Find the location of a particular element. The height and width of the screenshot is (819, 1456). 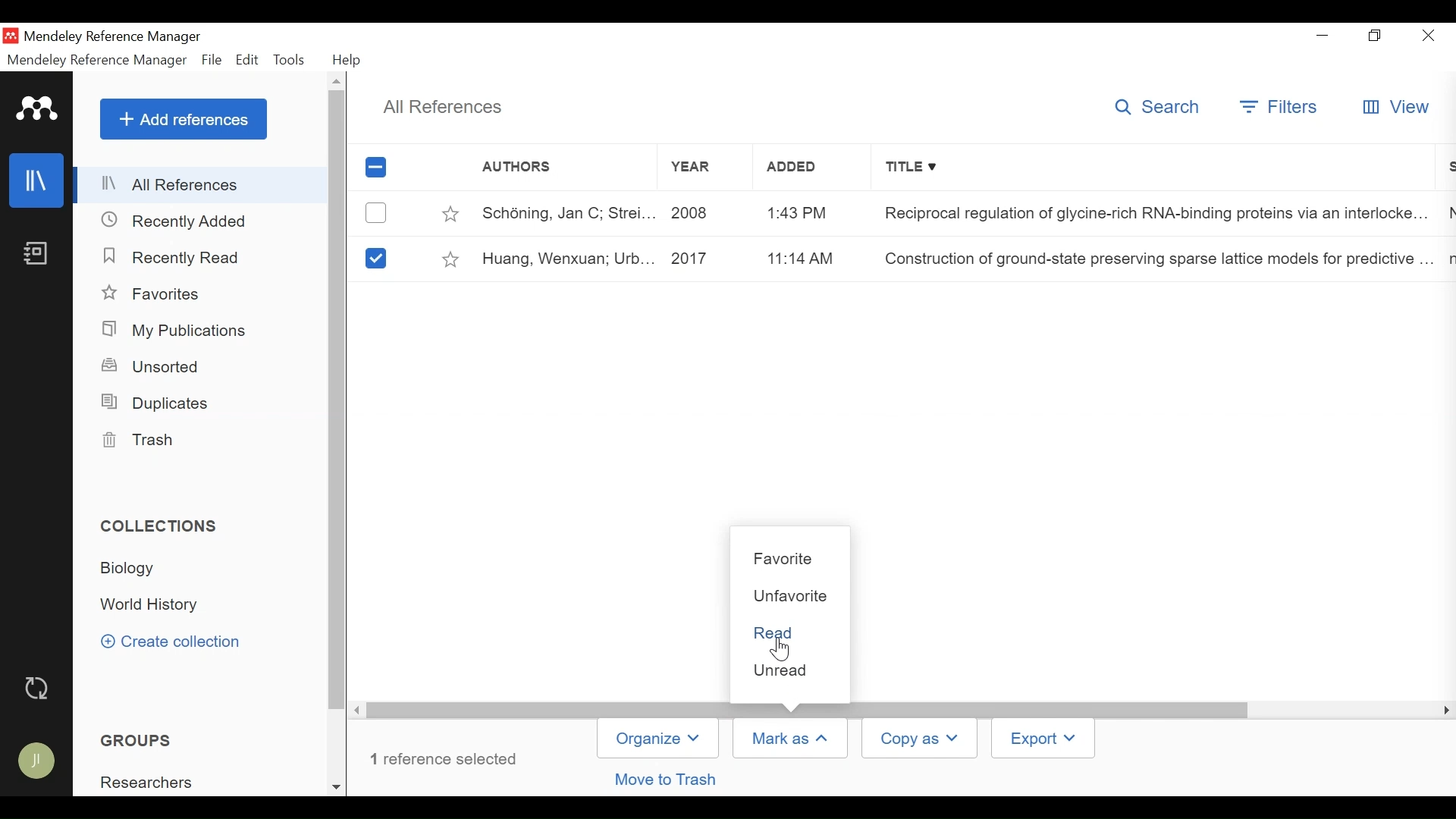

Added is located at coordinates (797, 171).